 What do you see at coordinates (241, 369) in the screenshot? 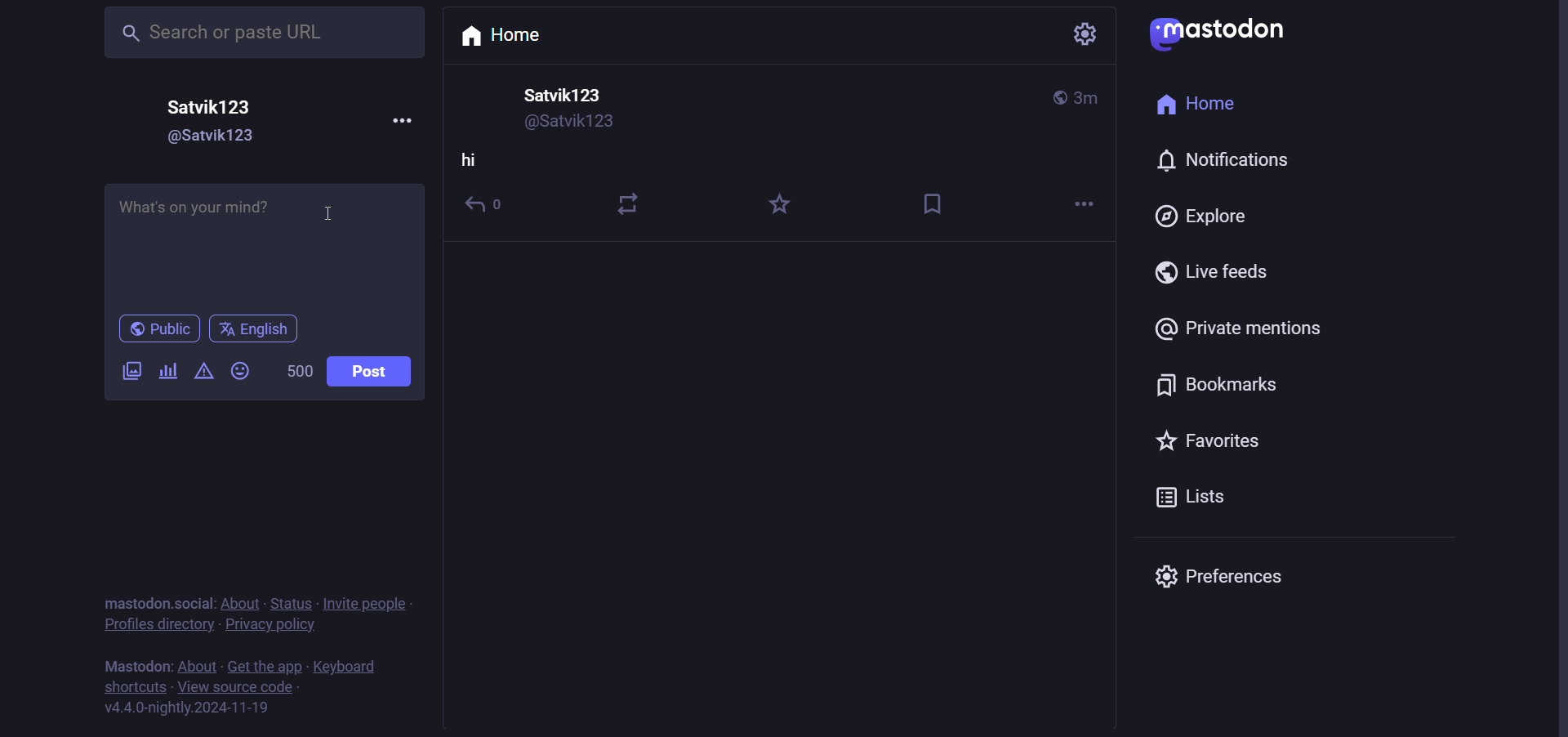
I see `emoji` at bounding box center [241, 369].